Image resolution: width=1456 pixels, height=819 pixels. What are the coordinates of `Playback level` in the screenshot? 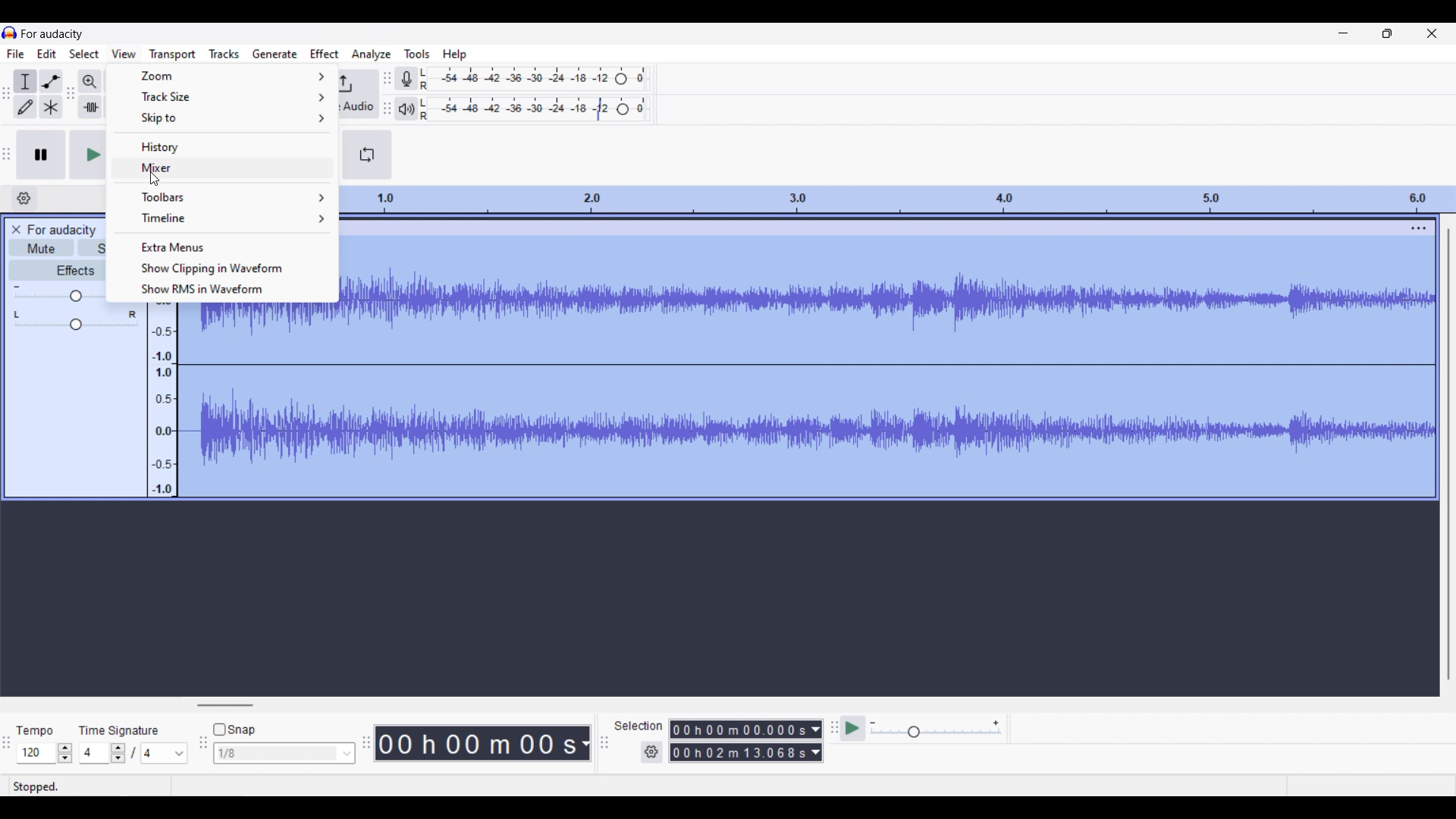 It's located at (535, 109).